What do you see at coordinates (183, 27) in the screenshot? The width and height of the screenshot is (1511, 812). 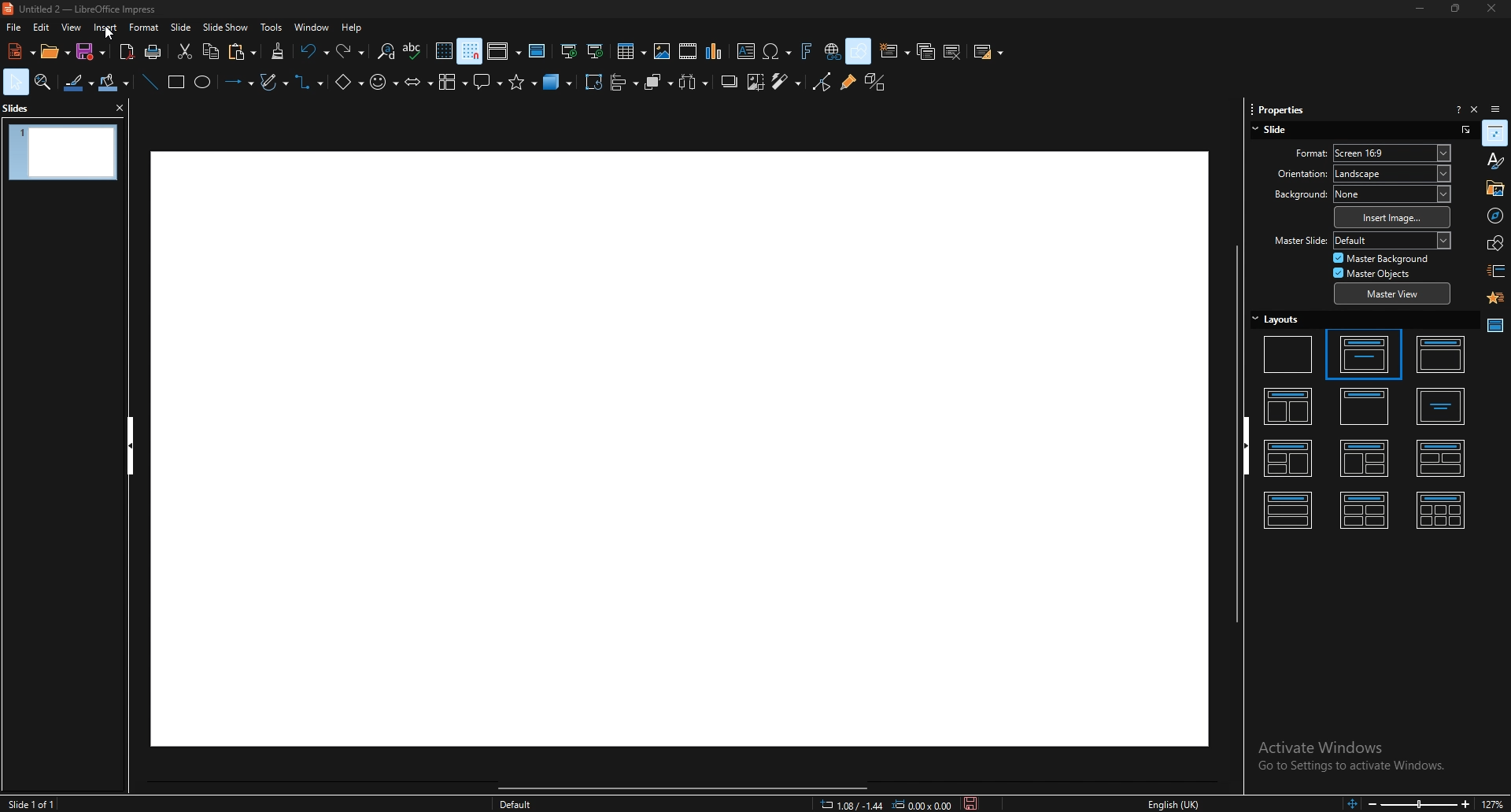 I see `slide` at bounding box center [183, 27].